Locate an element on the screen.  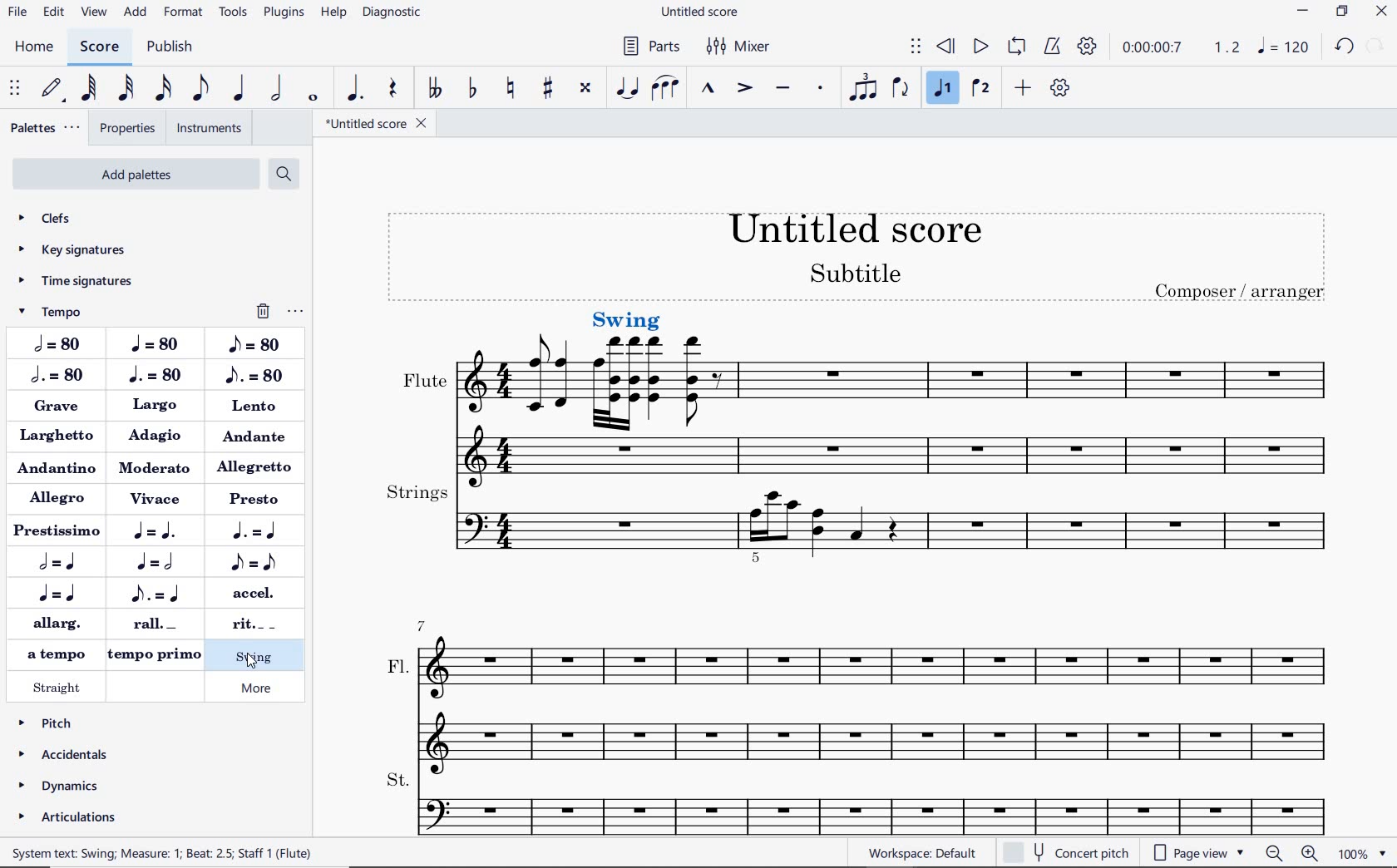
QUARTER NOTE is located at coordinates (240, 88).